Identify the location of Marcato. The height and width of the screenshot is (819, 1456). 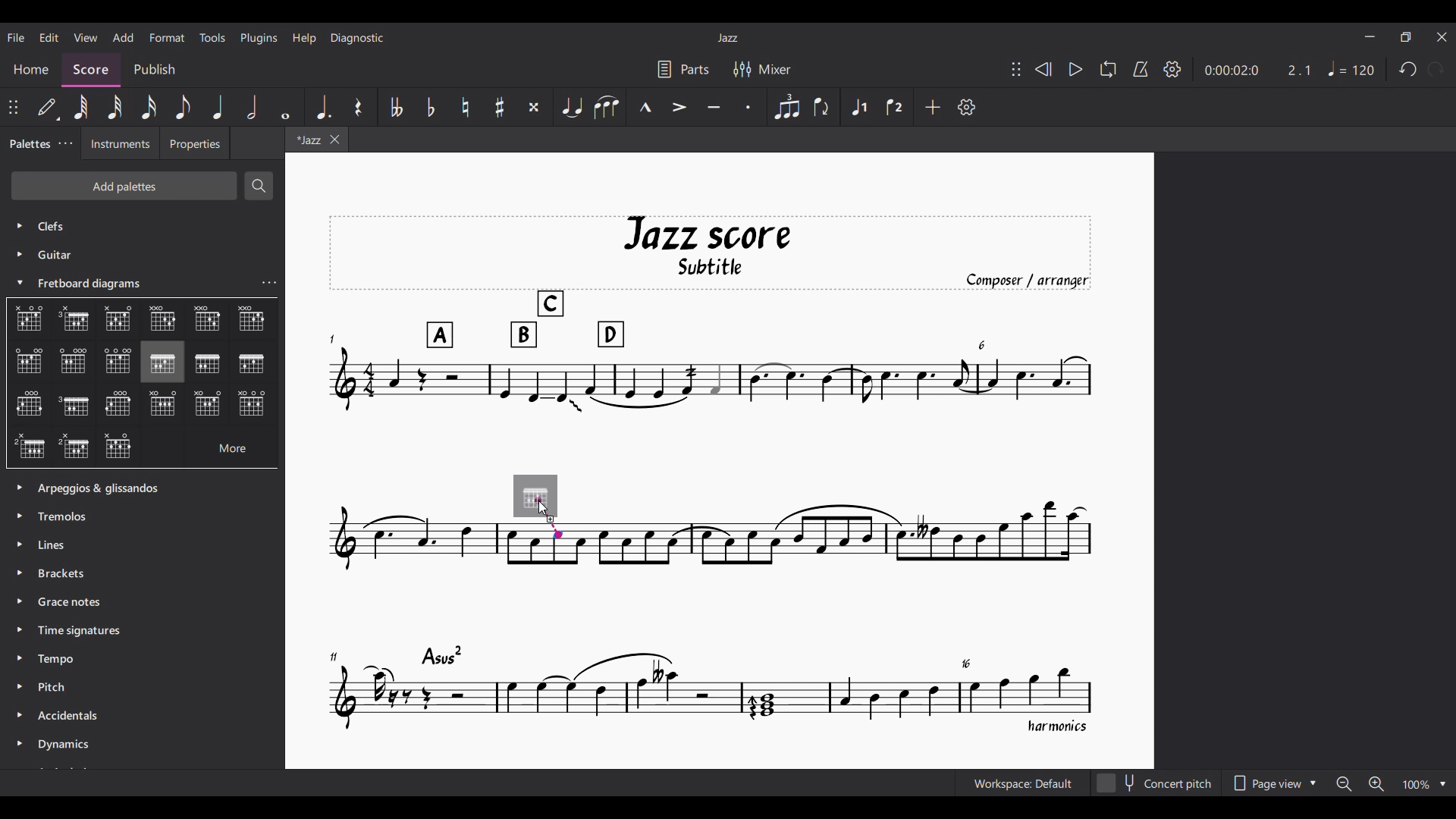
(644, 106).